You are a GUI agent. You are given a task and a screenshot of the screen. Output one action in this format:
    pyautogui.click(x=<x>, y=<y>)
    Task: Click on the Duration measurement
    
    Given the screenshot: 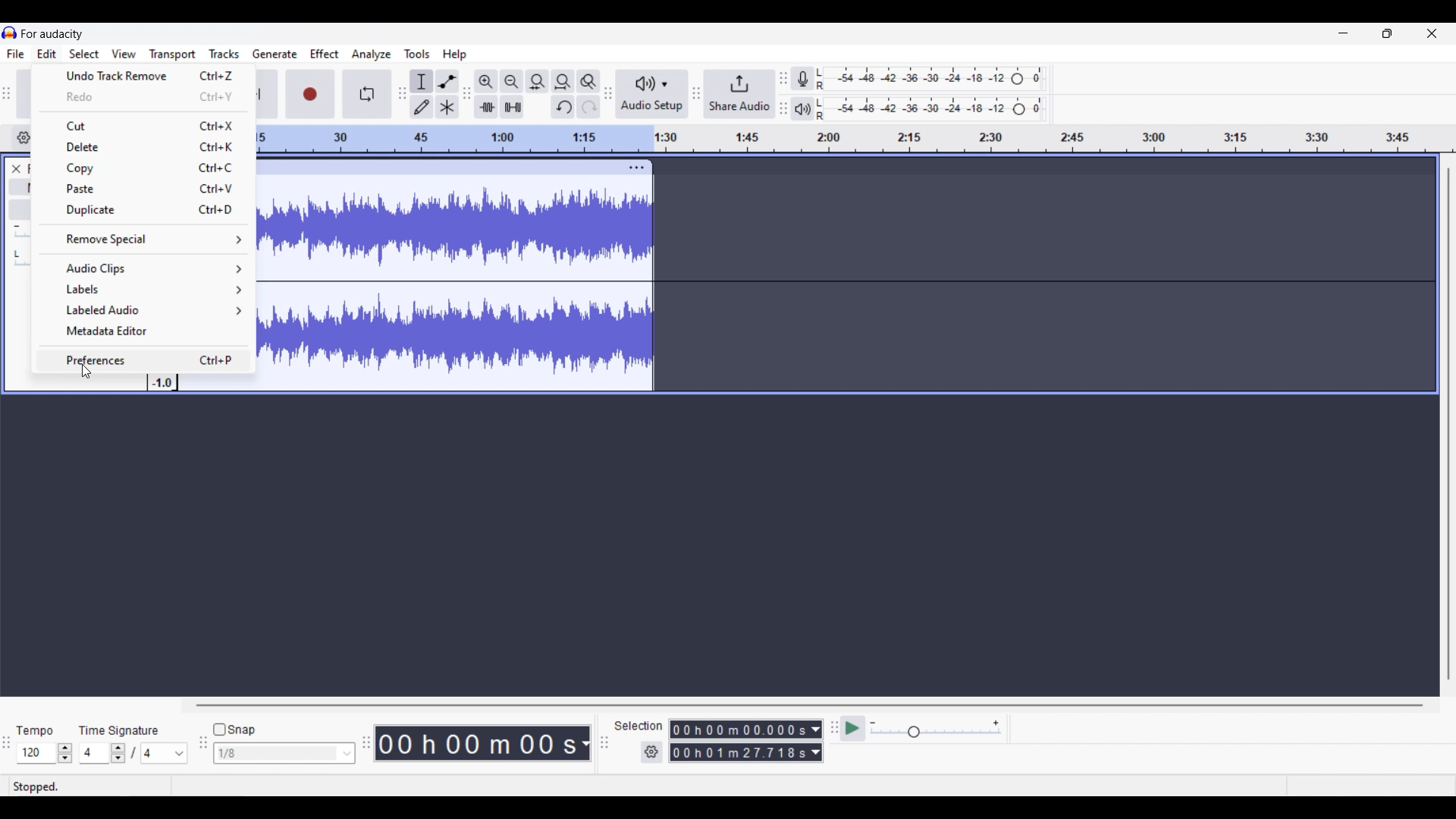 What is the action you would take?
    pyautogui.click(x=816, y=742)
    